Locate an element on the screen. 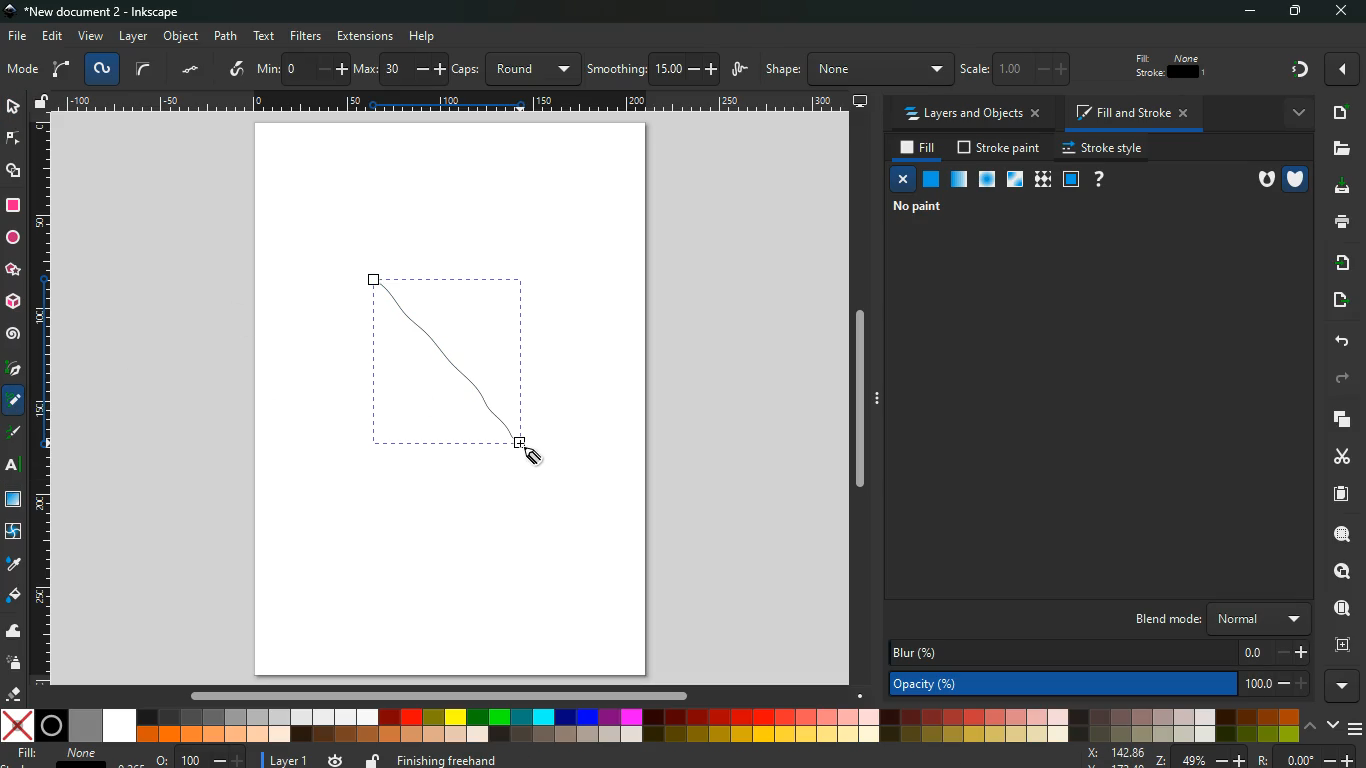 The height and width of the screenshot is (768, 1366). scale is located at coordinates (1025, 70).